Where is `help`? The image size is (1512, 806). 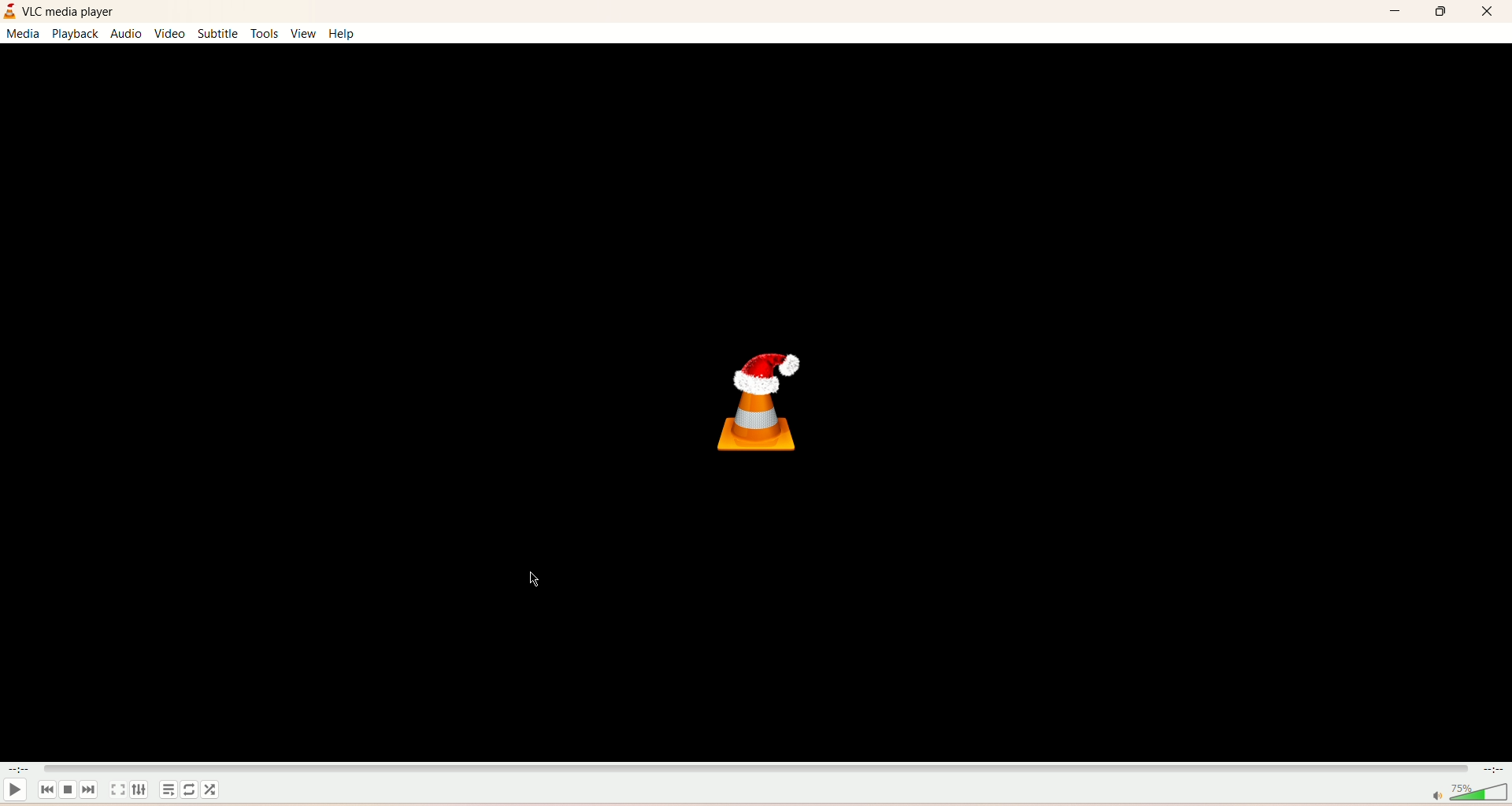 help is located at coordinates (341, 32).